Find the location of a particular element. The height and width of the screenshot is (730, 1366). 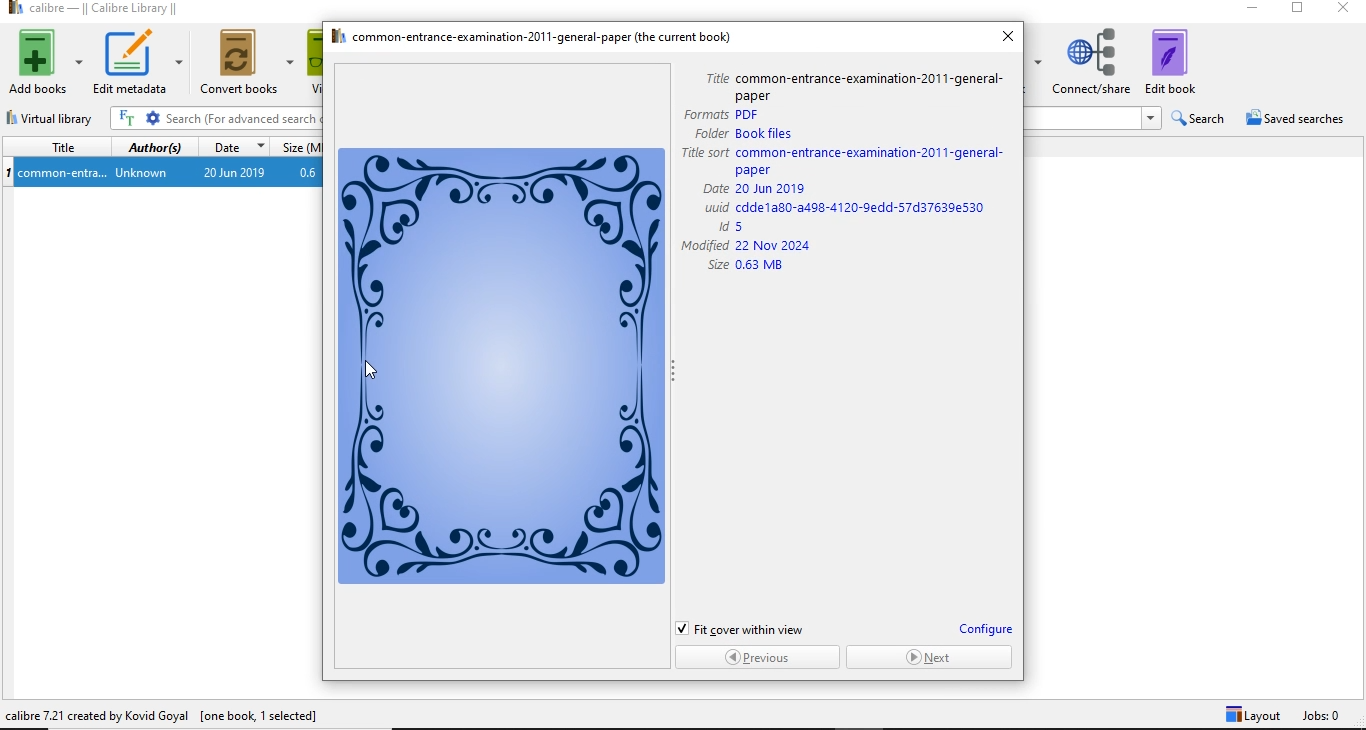

title sort common-entrance-examination-2011-general-papers is located at coordinates (850, 160).